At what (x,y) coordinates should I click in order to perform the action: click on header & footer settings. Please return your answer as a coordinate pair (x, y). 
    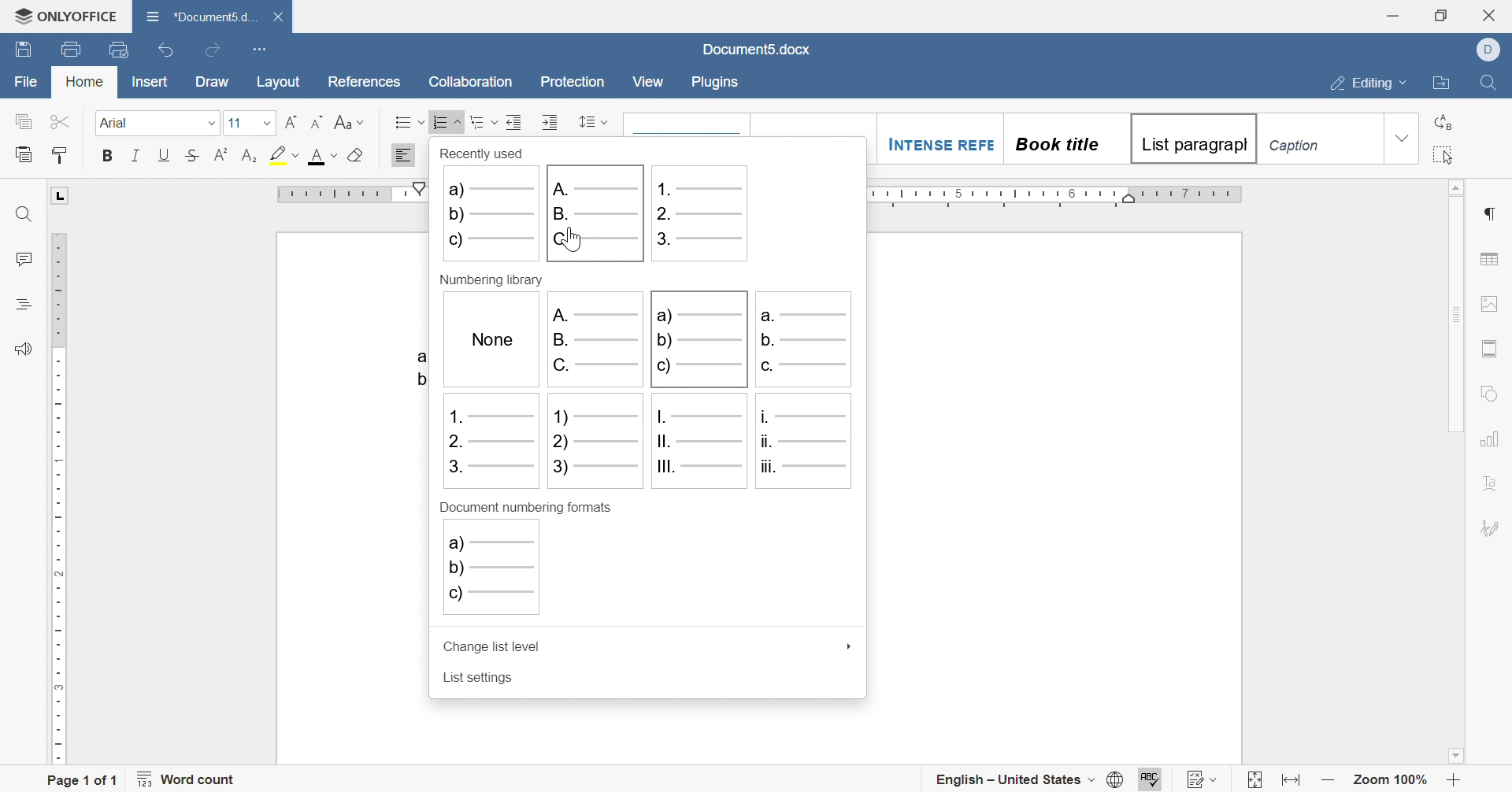
    Looking at the image, I should click on (1489, 347).